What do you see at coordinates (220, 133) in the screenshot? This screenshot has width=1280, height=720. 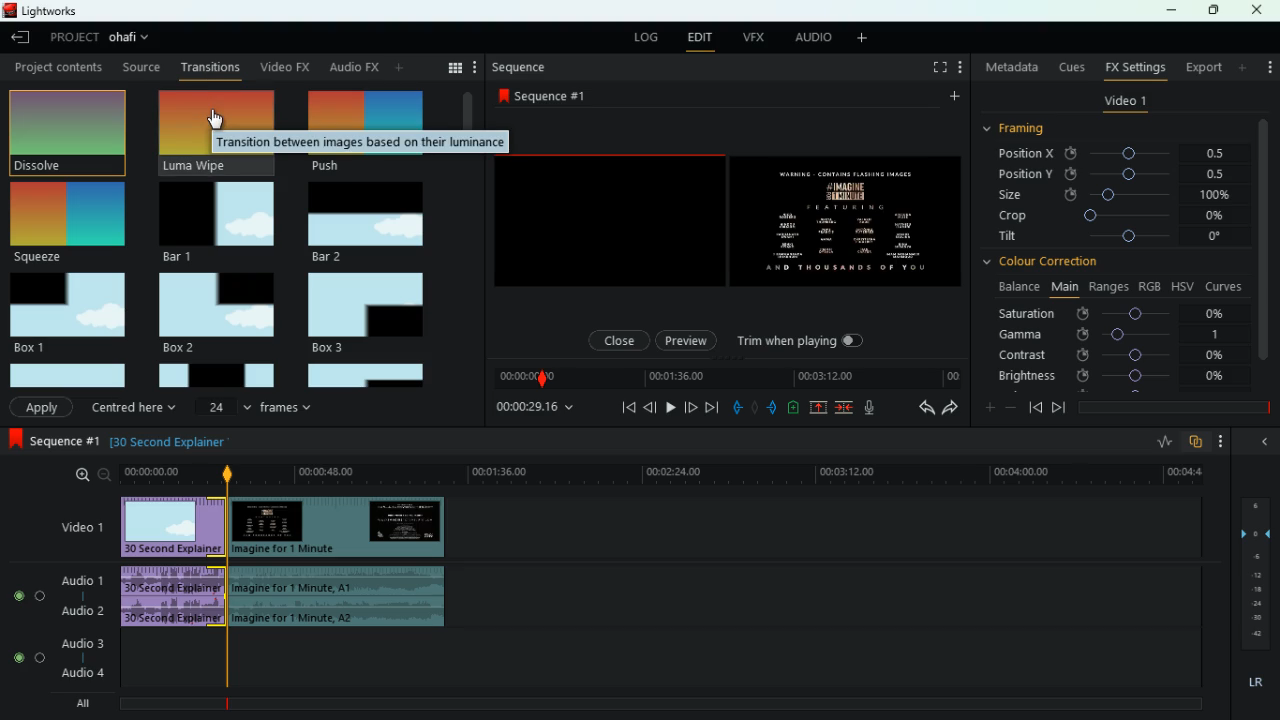 I see `luma wipe` at bounding box center [220, 133].